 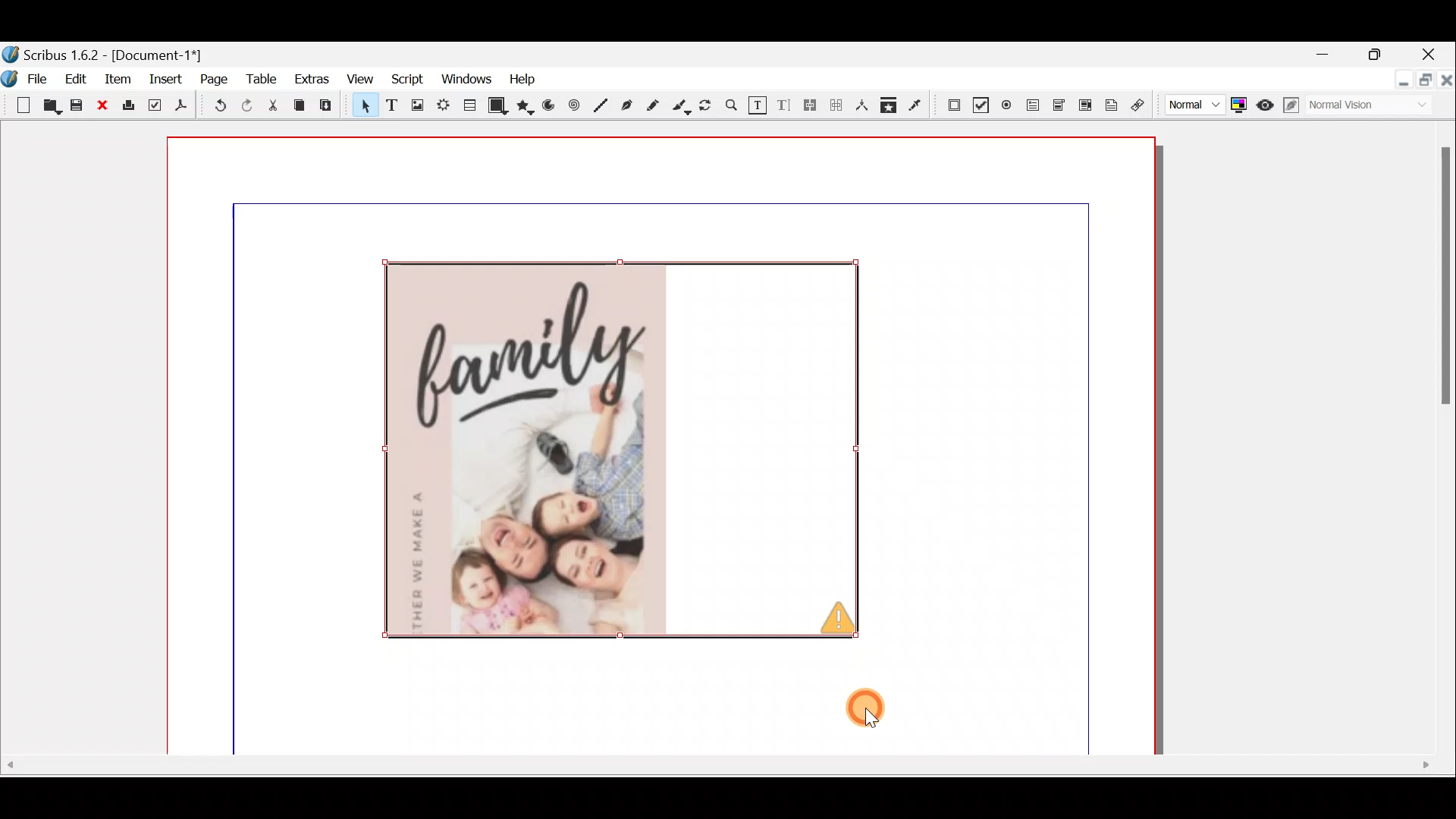 I want to click on Open, so click(x=49, y=108).